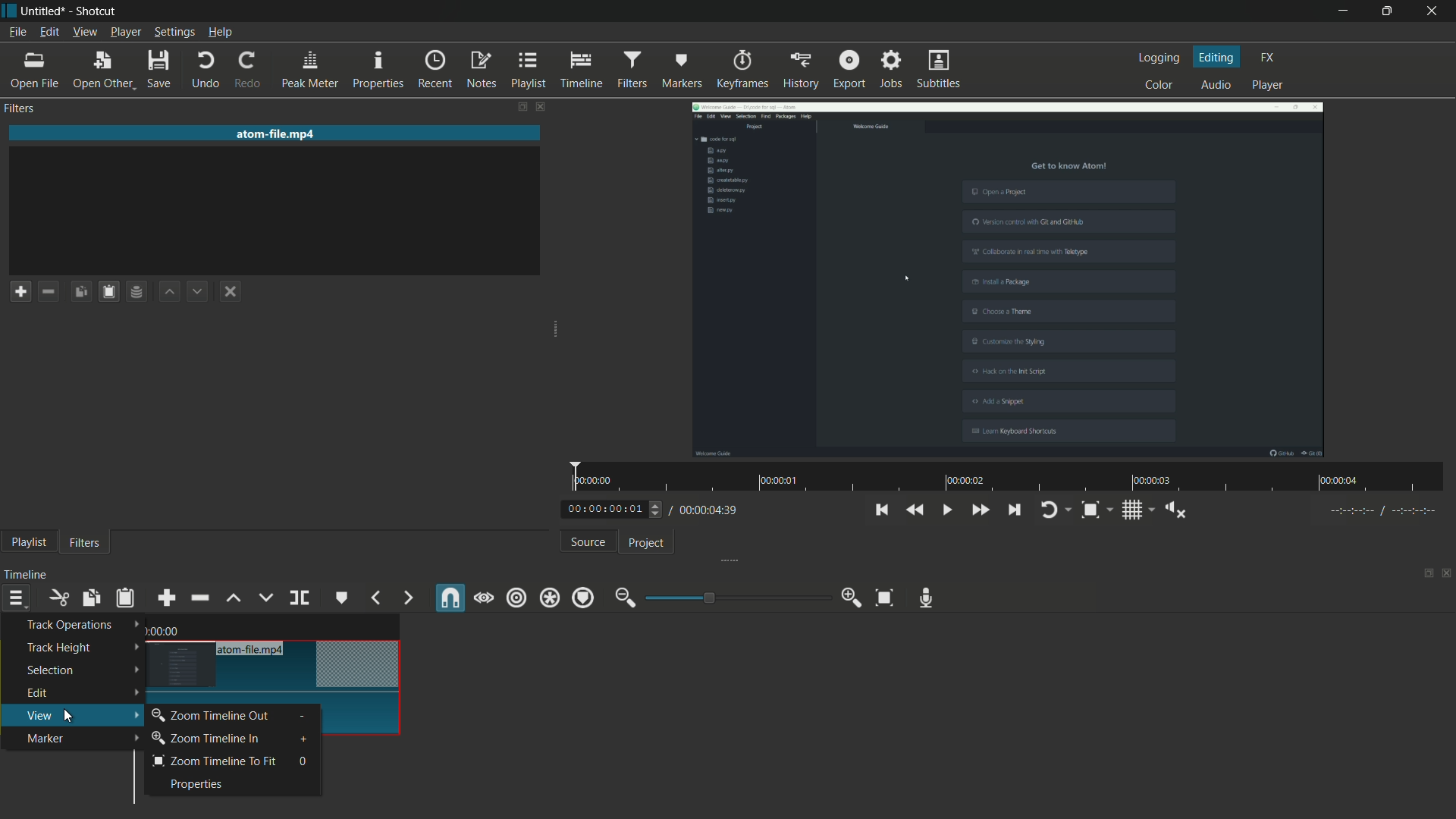  What do you see at coordinates (85, 542) in the screenshot?
I see `filters` at bounding box center [85, 542].